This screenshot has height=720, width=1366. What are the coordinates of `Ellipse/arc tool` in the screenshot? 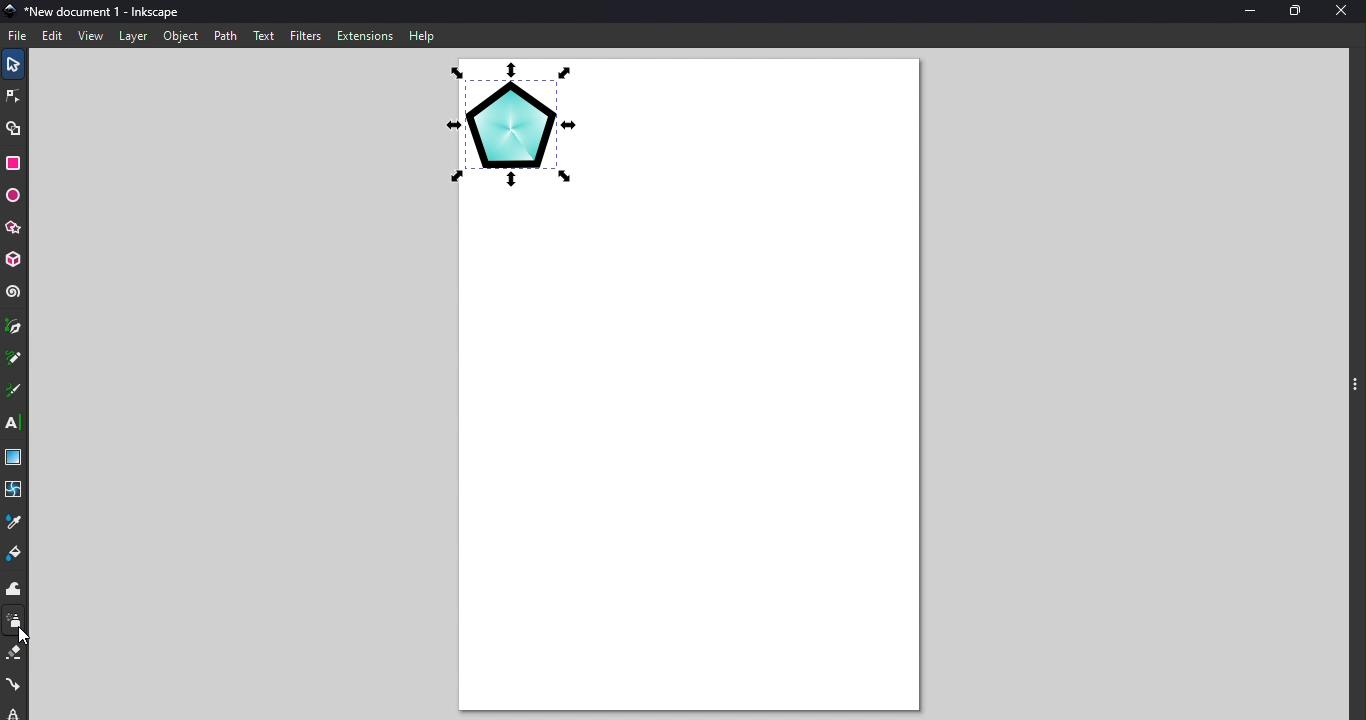 It's located at (16, 196).